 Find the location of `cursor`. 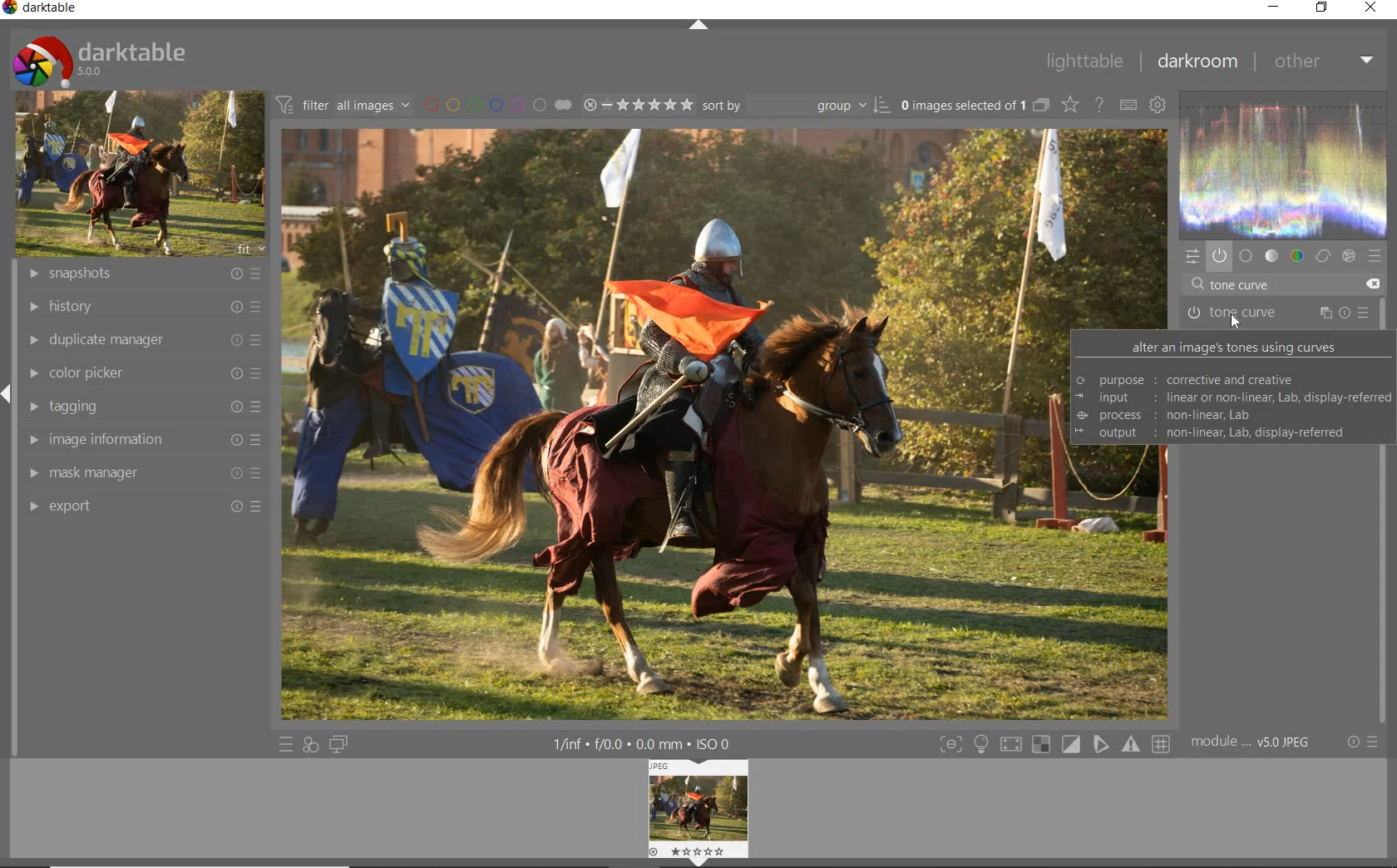

cursor is located at coordinates (1237, 325).